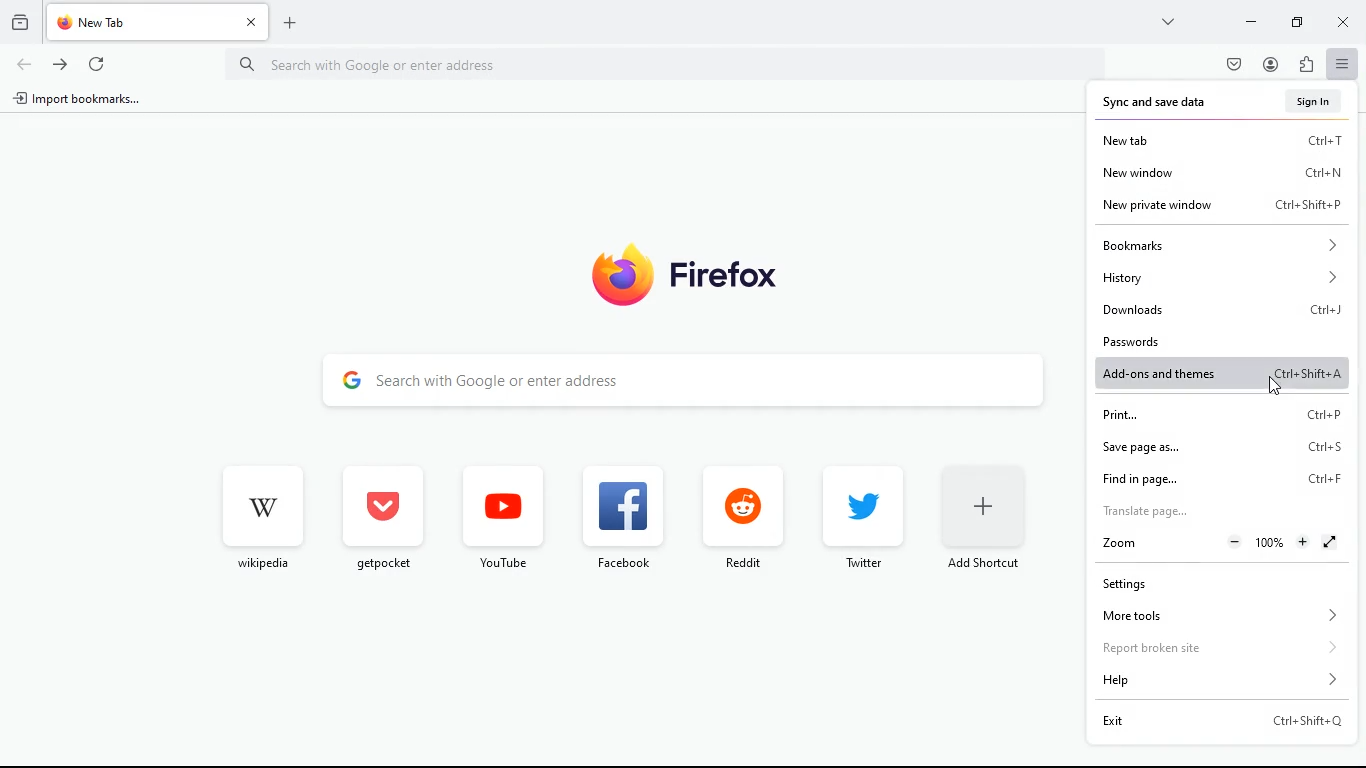 Image resolution: width=1366 pixels, height=768 pixels. I want to click on back, so click(26, 64).